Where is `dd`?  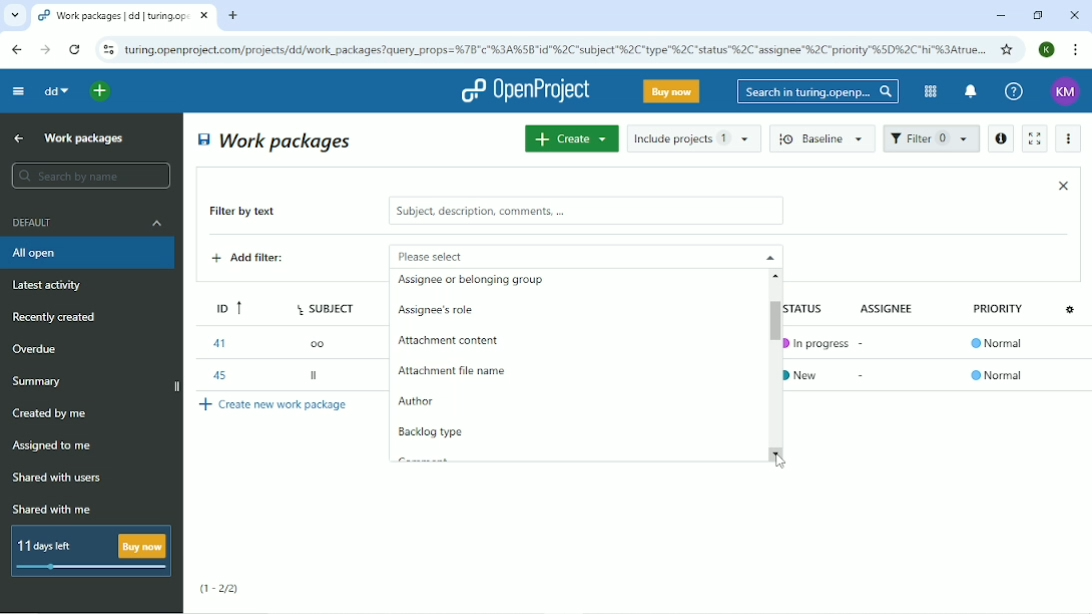 dd is located at coordinates (55, 91).